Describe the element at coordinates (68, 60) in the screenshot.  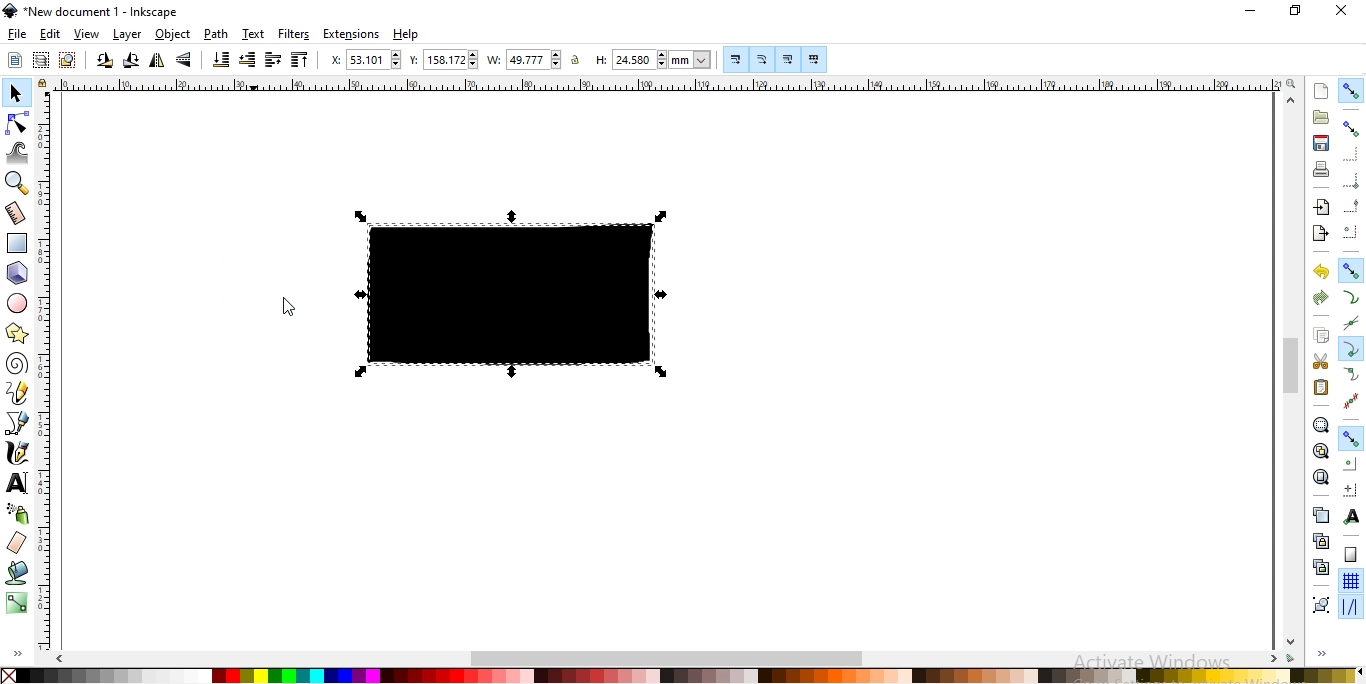
I see `deselect any selected objects or nodes` at that location.